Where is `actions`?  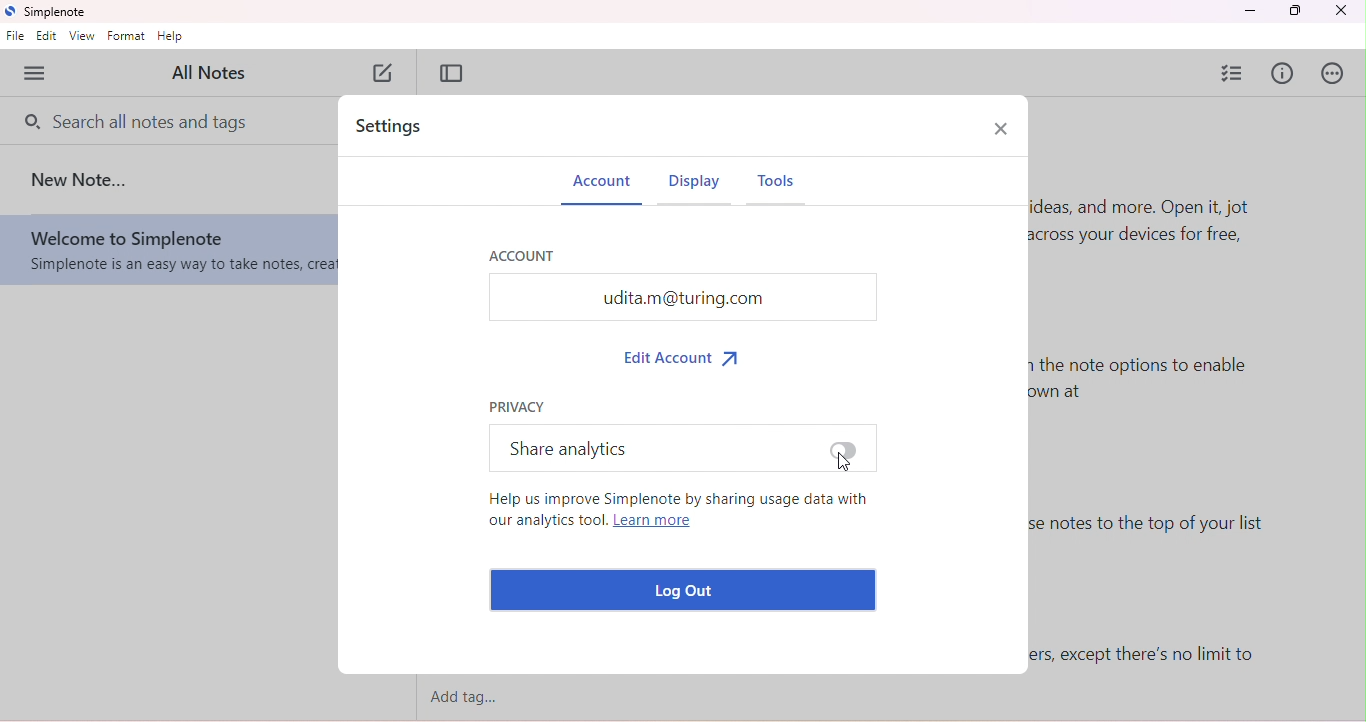
actions is located at coordinates (1336, 73).